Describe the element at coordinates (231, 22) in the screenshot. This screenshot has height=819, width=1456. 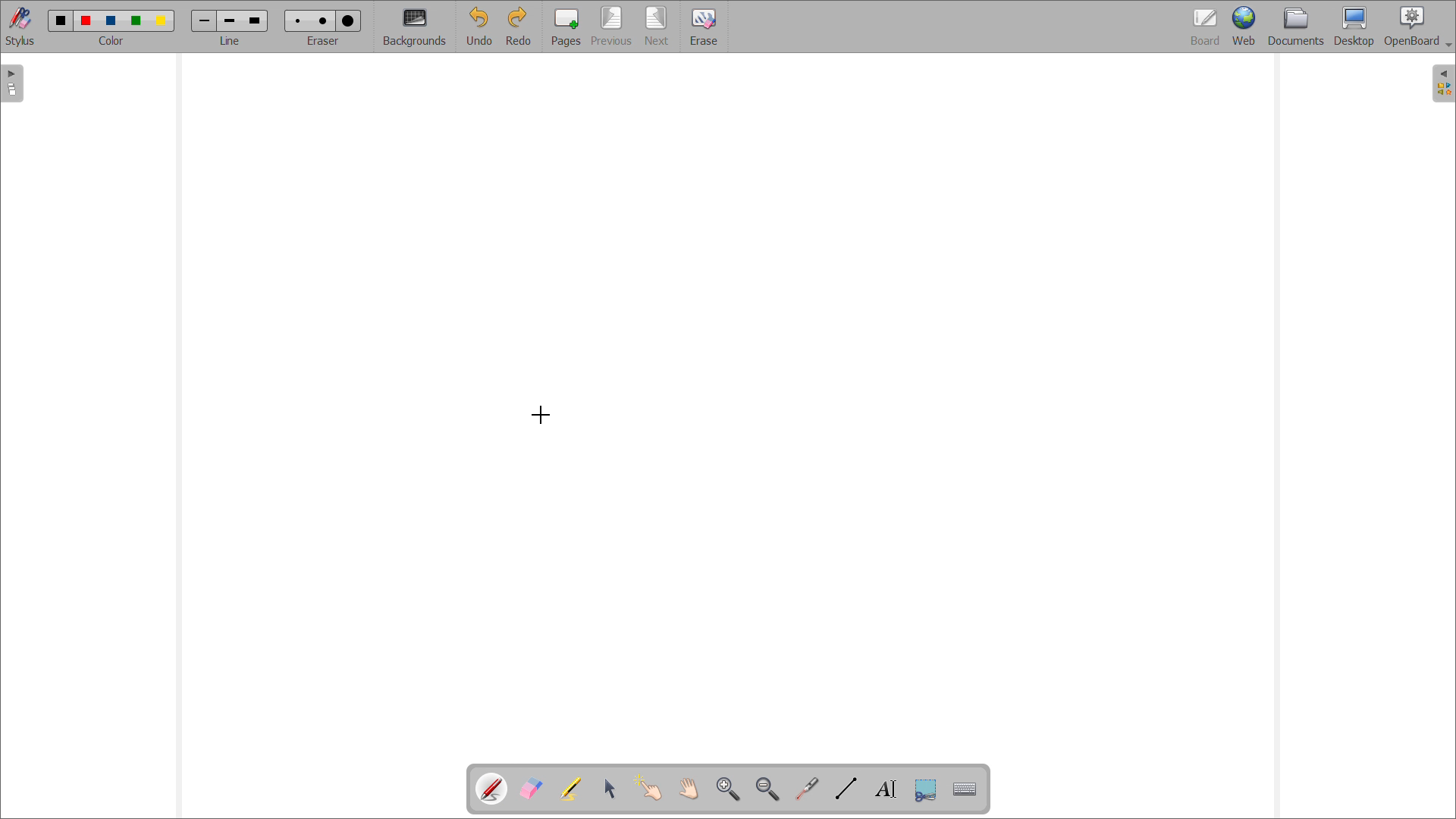
I see `line width size` at that location.